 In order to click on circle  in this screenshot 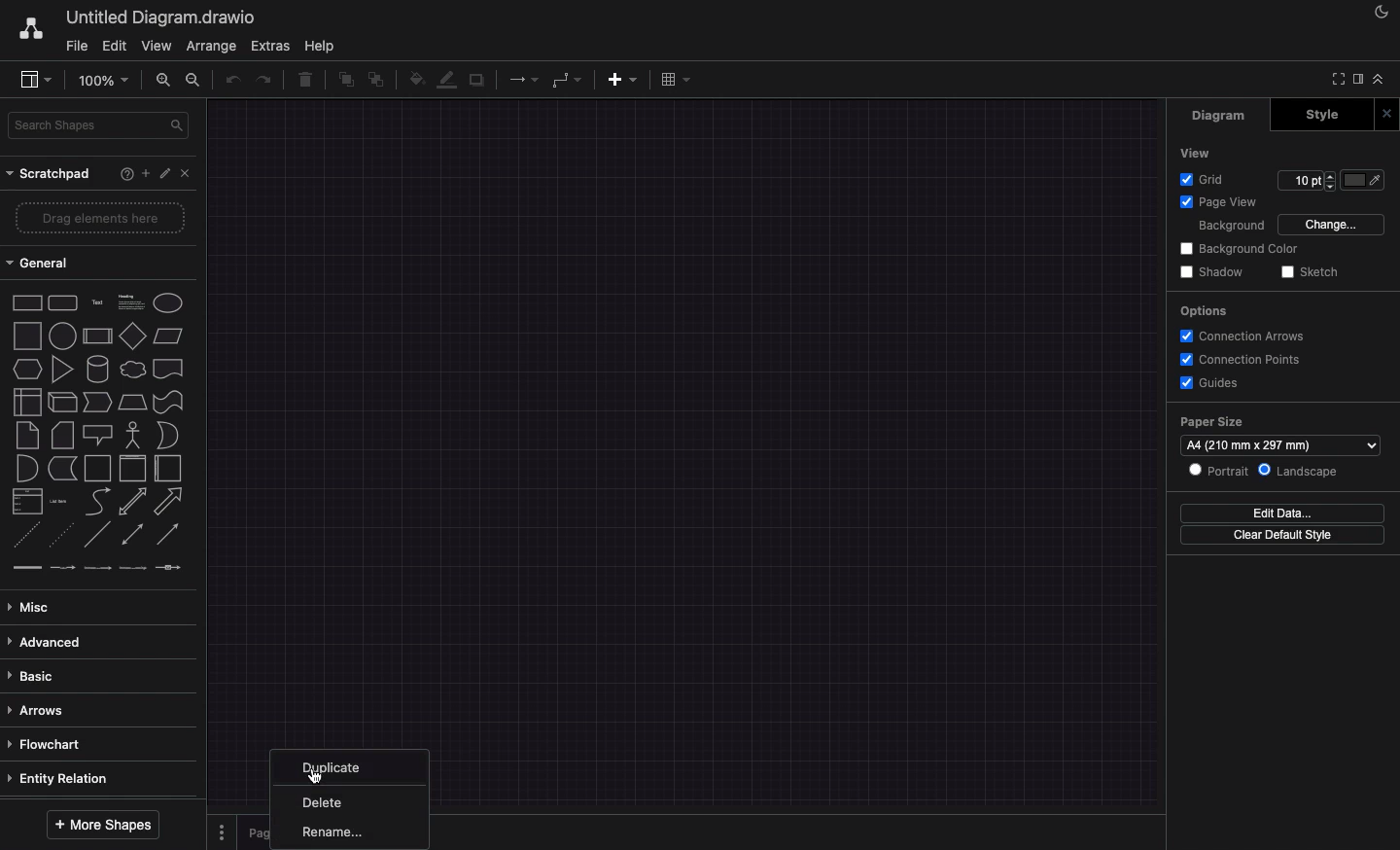, I will do `click(64, 336)`.